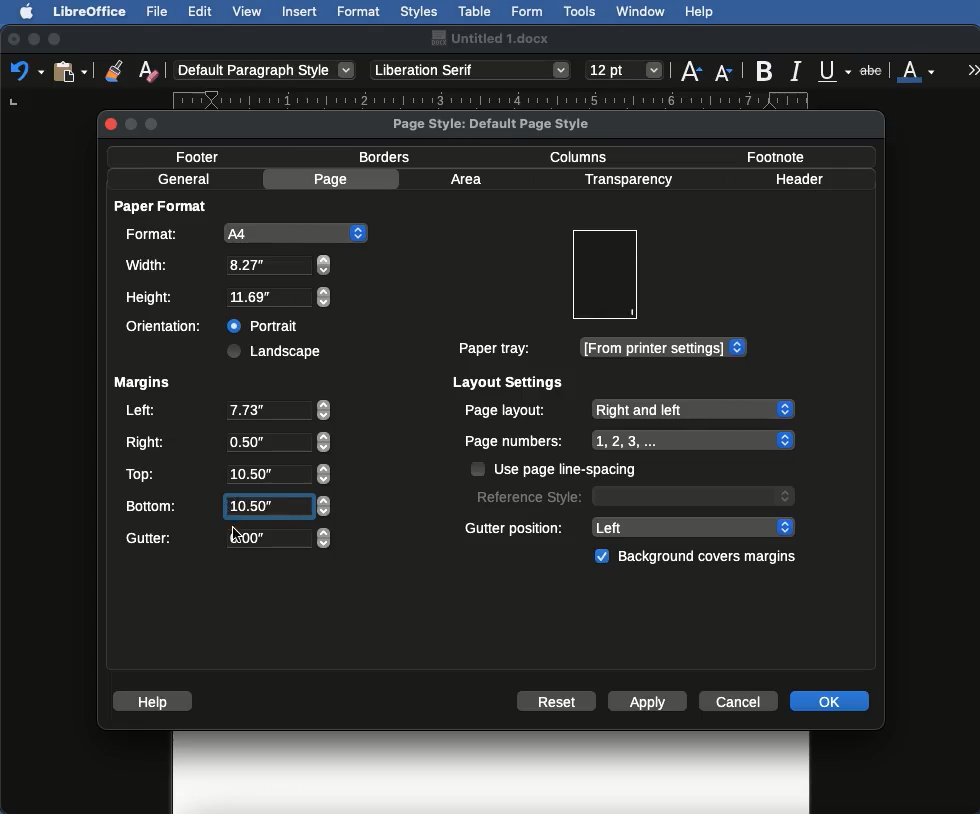 Image resolution: width=980 pixels, height=814 pixels. I want to click on Form, so click(527, 12).